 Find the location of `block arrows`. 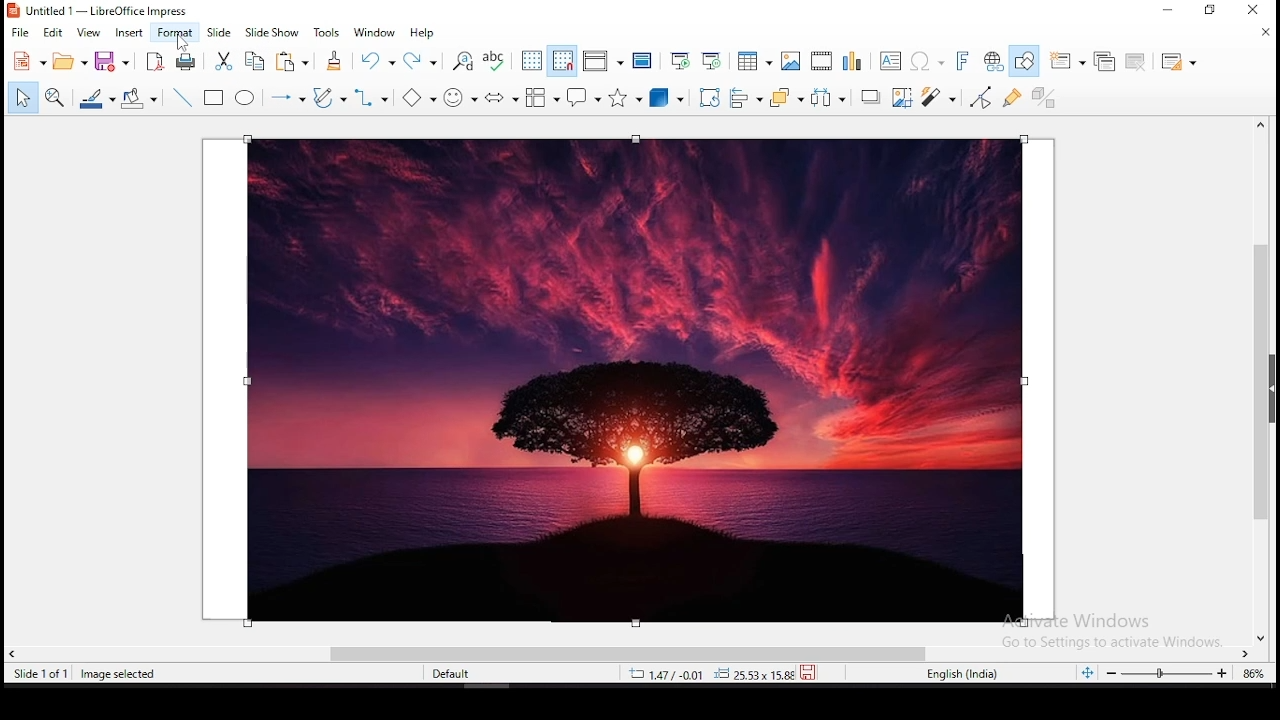

block arrows is located at coordinates (502, 97).